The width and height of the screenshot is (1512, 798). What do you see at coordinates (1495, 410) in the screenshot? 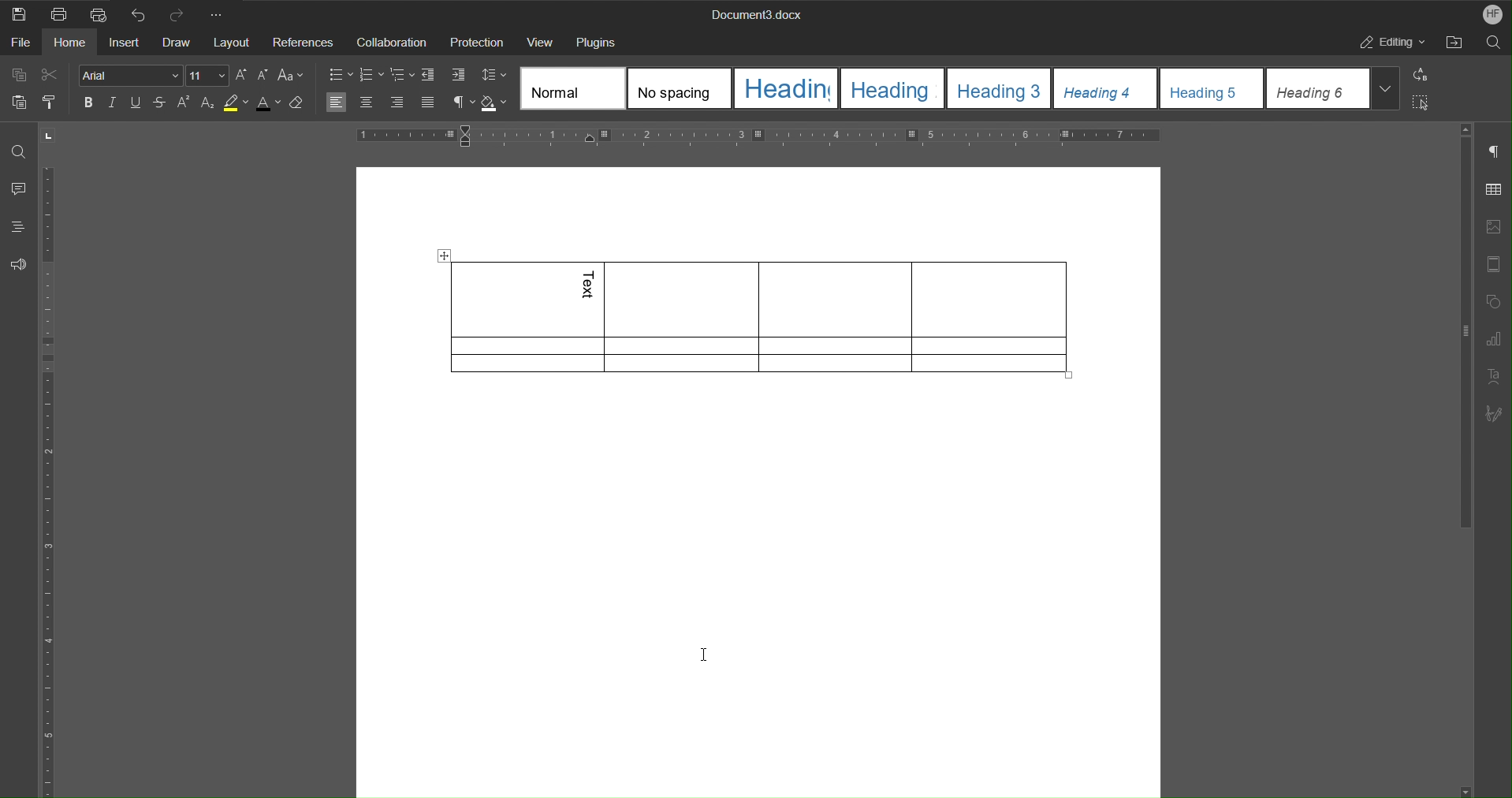
I see `Signature` at bounding box center [1495, 410].